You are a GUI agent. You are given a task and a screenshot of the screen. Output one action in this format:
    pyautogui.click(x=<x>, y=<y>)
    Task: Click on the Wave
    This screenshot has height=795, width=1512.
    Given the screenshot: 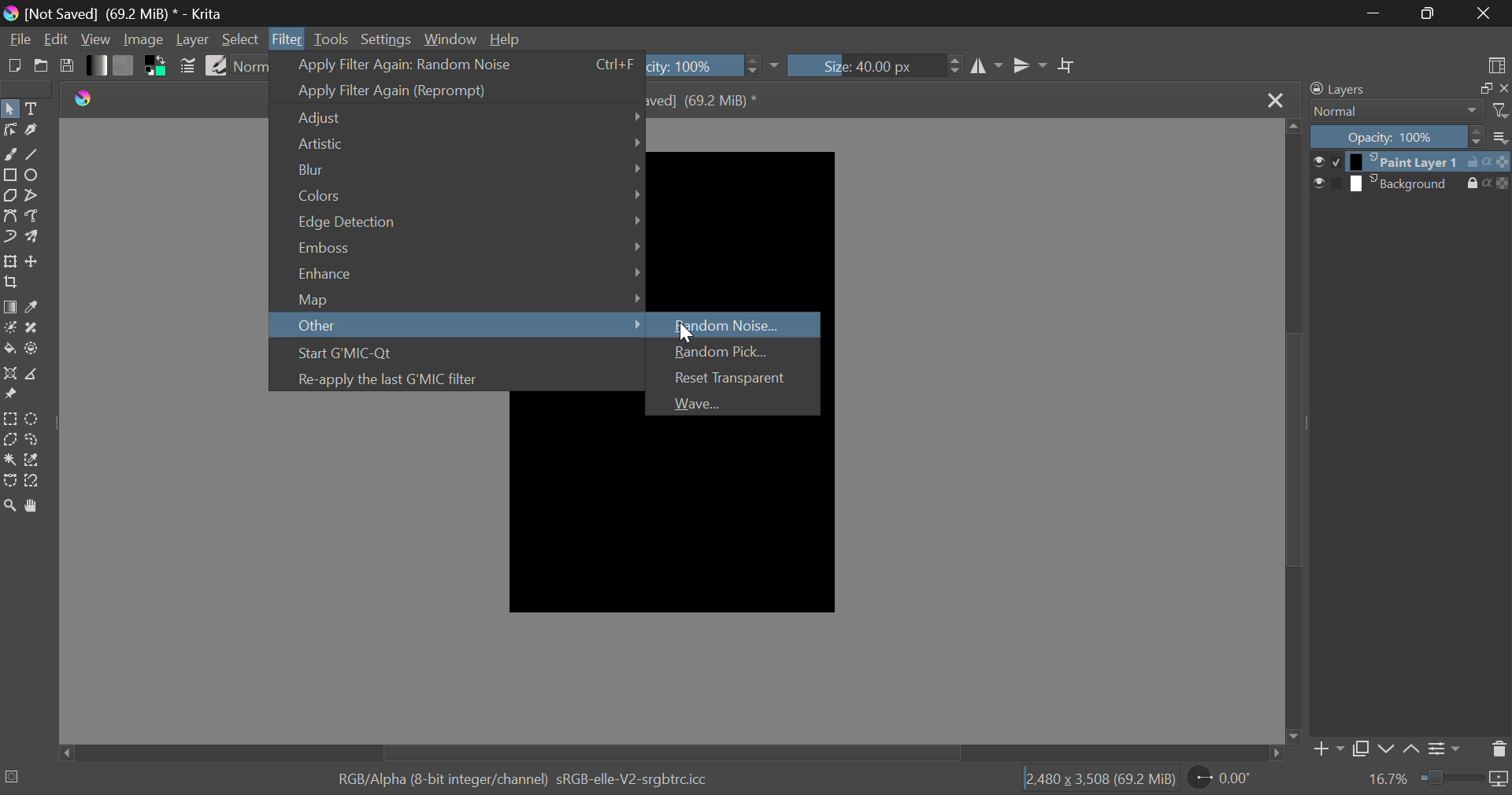 What is the action you would take?
    pyautogui.click(x=729, y=403)
    